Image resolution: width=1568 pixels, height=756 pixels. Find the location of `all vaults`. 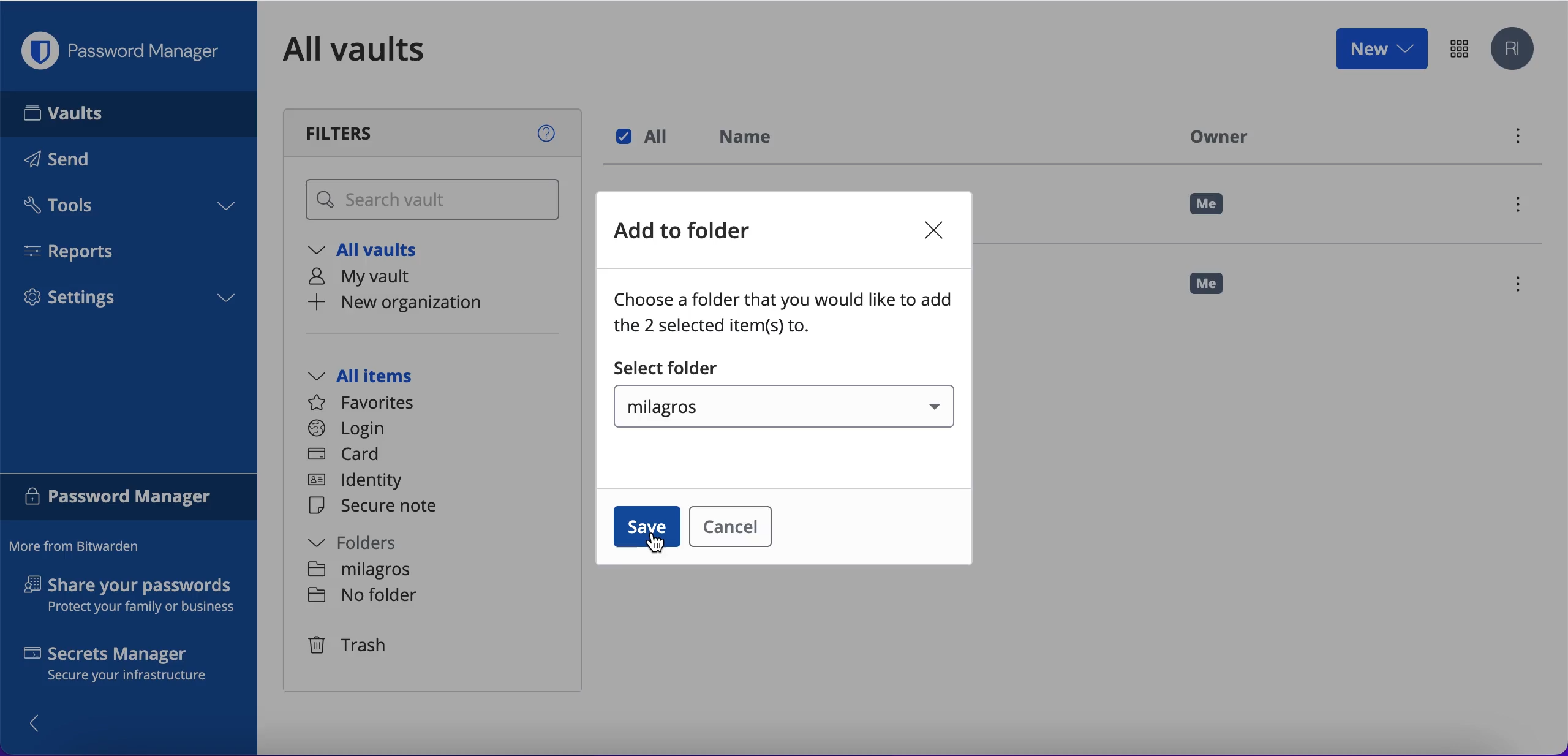

all vaults is located at coordinates (372, 49).